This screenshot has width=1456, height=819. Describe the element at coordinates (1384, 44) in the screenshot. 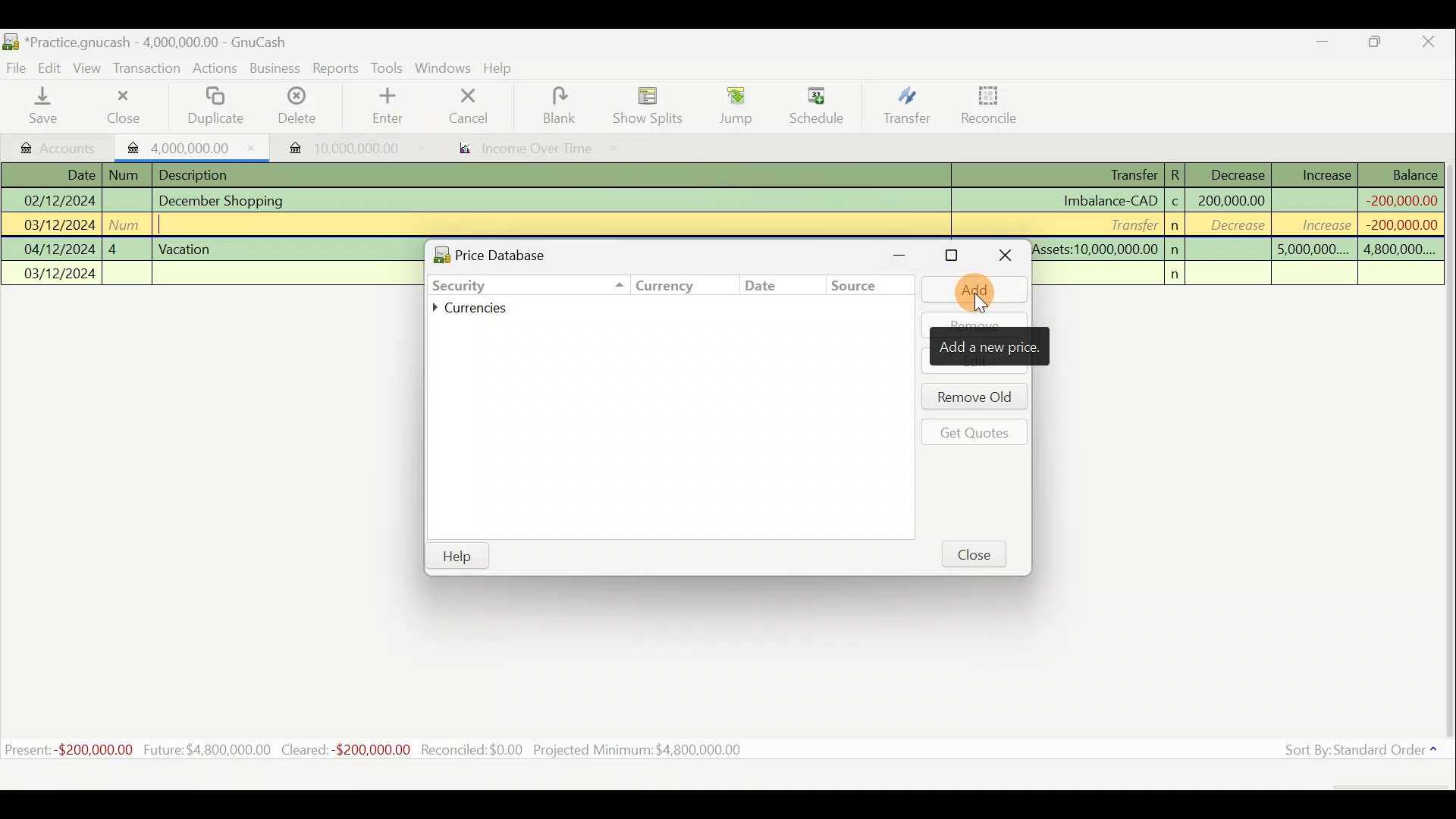

I see `Maximise` at that location.